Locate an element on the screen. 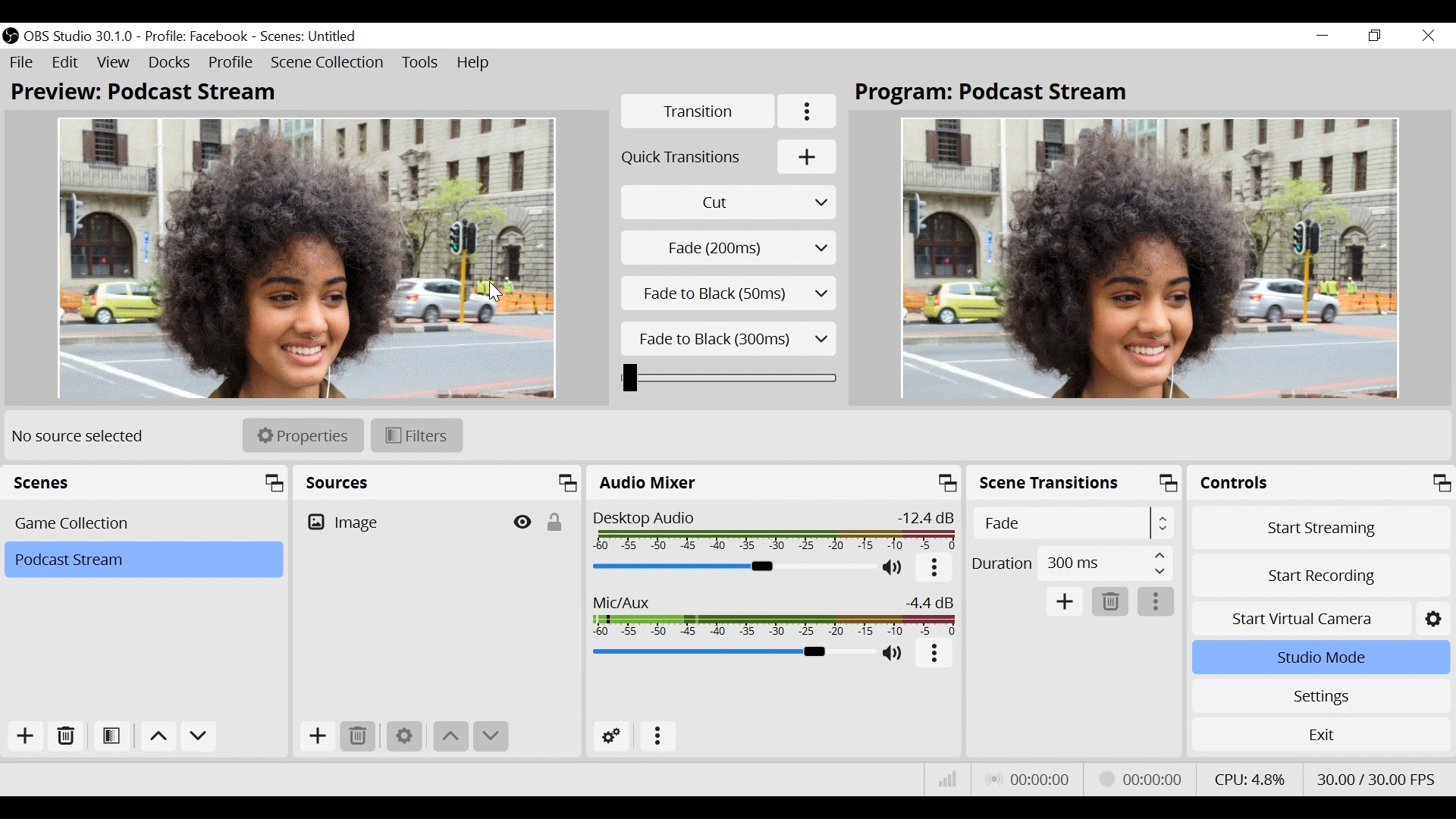  Mic/Aux is located at coordinates (774, 615).